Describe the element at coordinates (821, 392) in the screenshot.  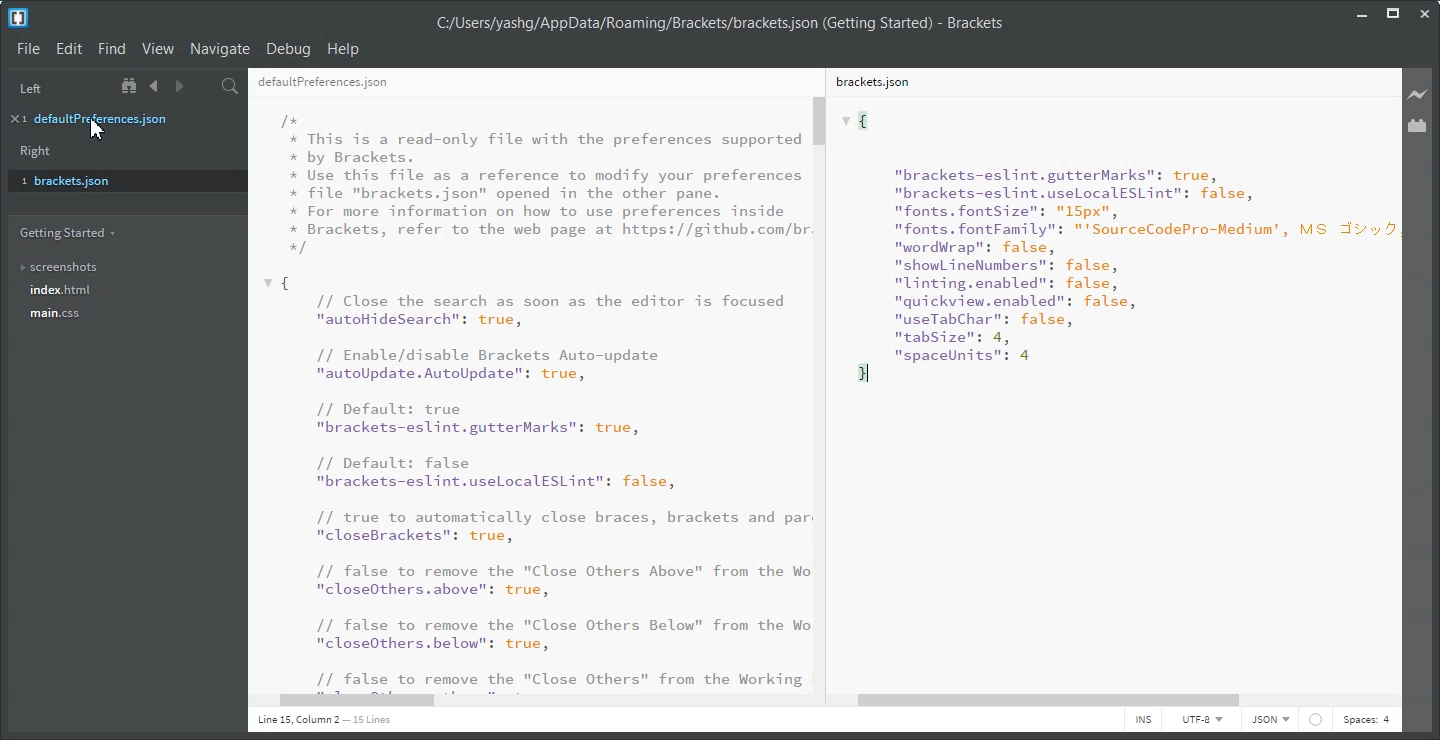
I see `Vertical Scroll Bar` at that location.